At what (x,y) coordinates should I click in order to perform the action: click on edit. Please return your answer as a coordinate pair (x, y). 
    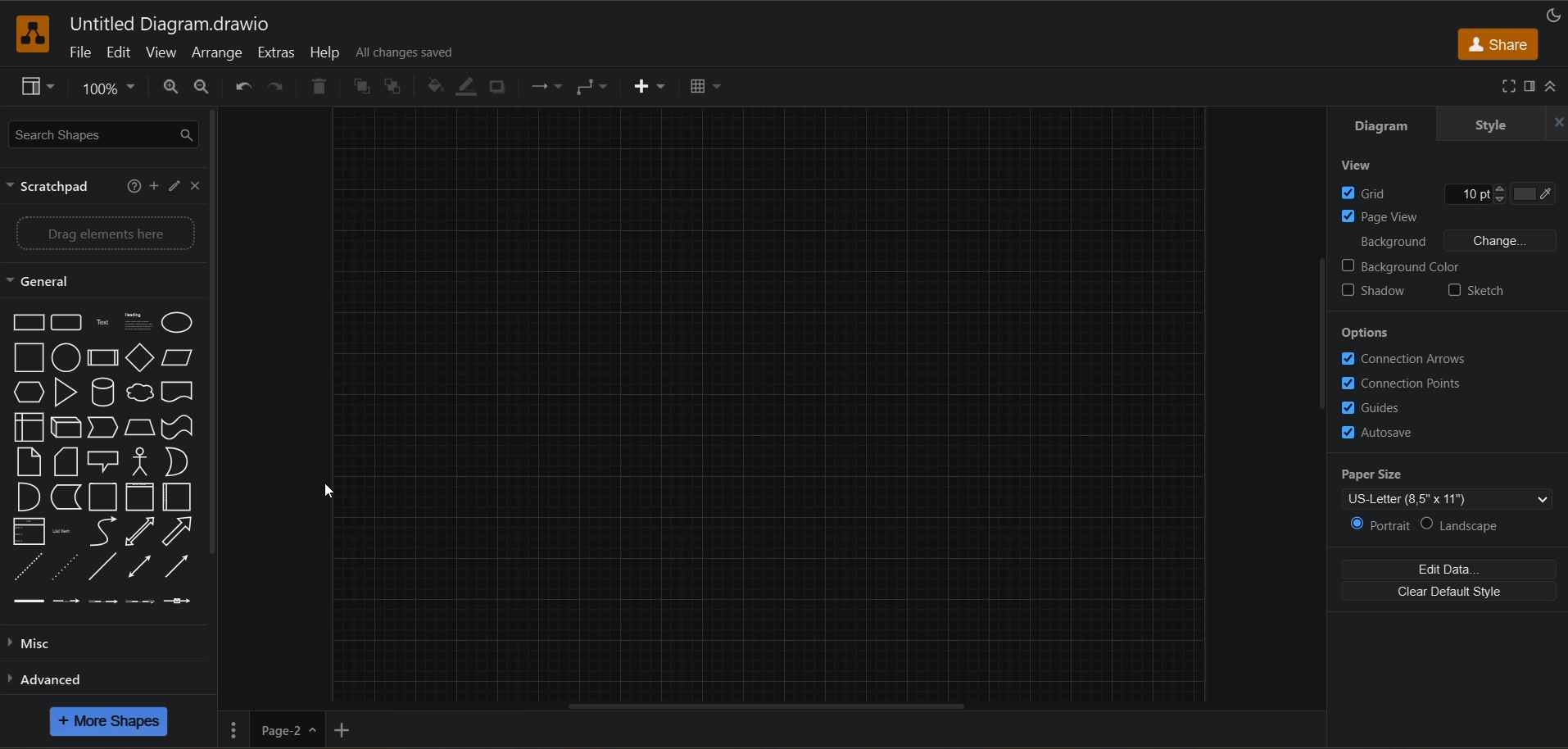
    Looking at the image, I should click on (123, 52).